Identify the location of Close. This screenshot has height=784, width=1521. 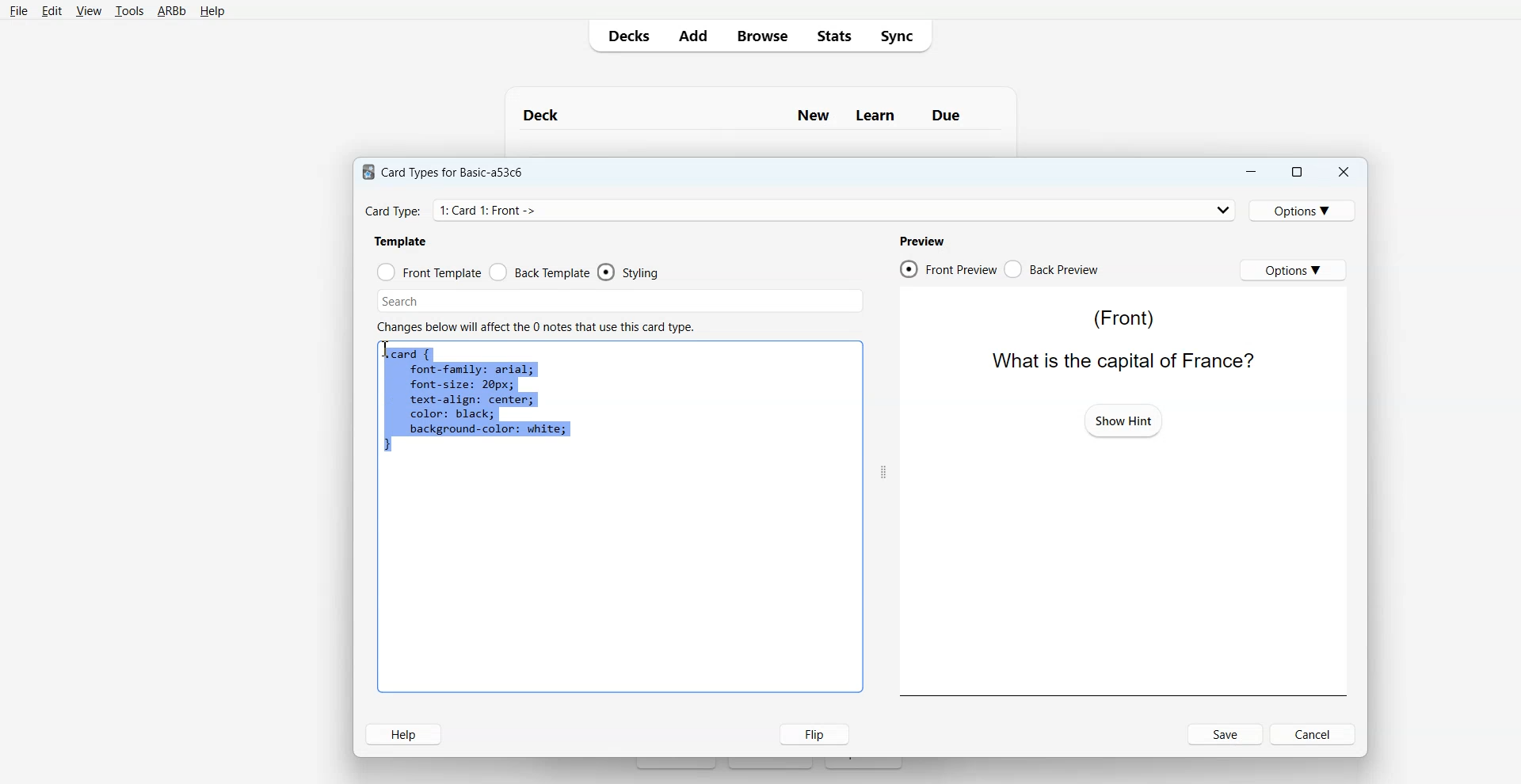
(1343, 173).